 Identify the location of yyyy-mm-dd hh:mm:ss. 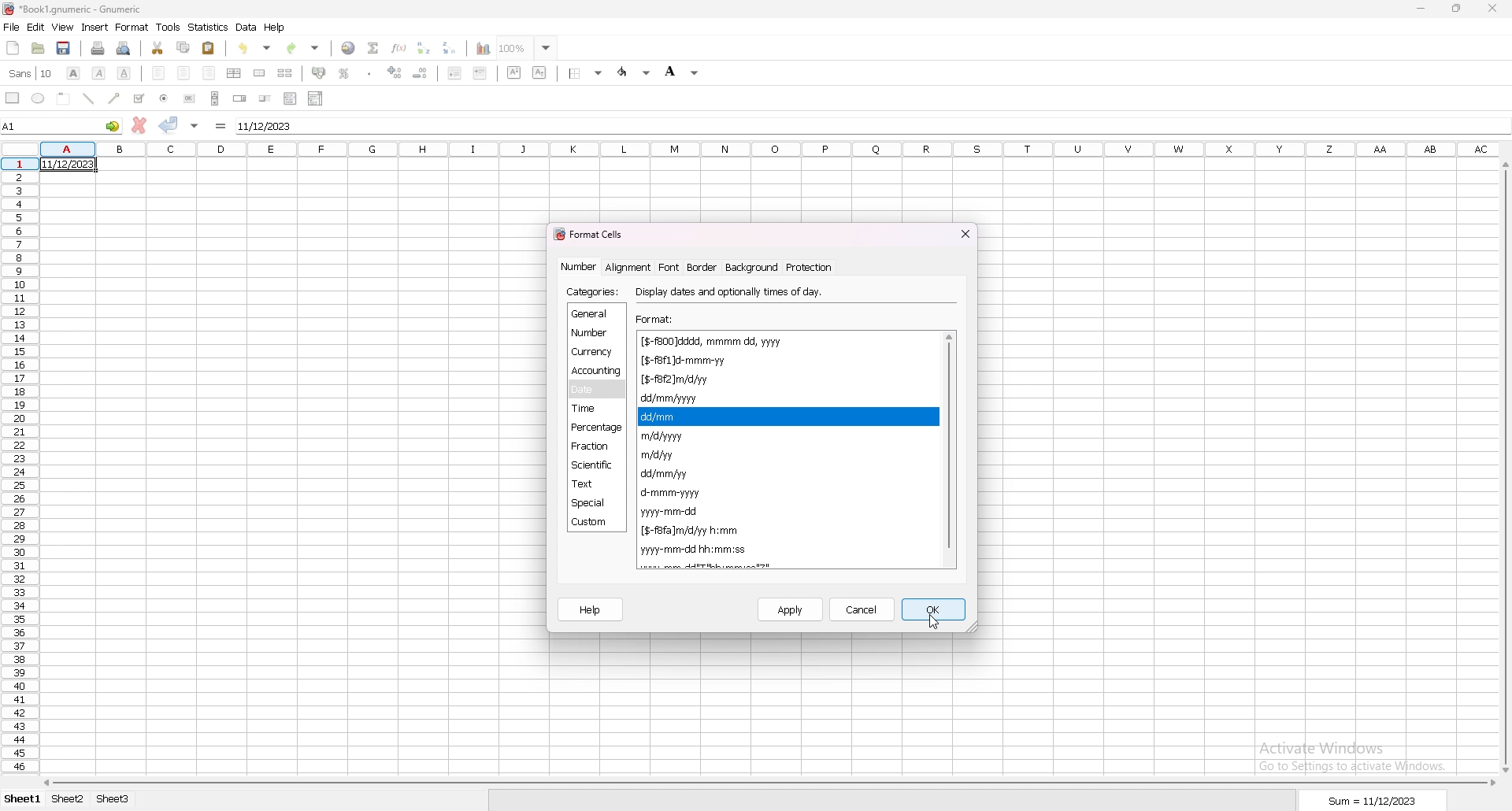
(695, 550).